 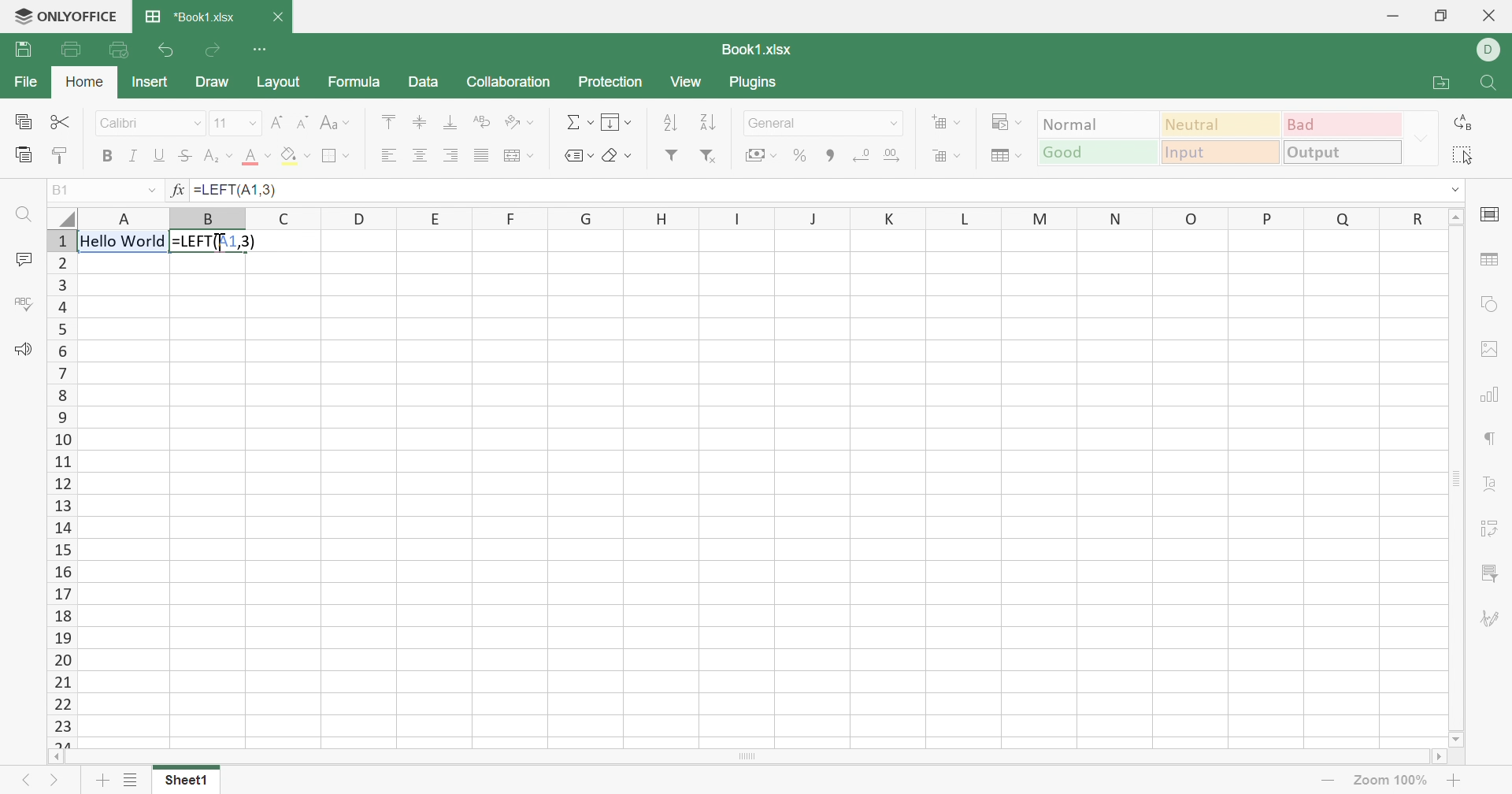 What do you see at coordinates (276, 124) in the screenshot?
I see `Increment font size` at bounding box center [276, 124].